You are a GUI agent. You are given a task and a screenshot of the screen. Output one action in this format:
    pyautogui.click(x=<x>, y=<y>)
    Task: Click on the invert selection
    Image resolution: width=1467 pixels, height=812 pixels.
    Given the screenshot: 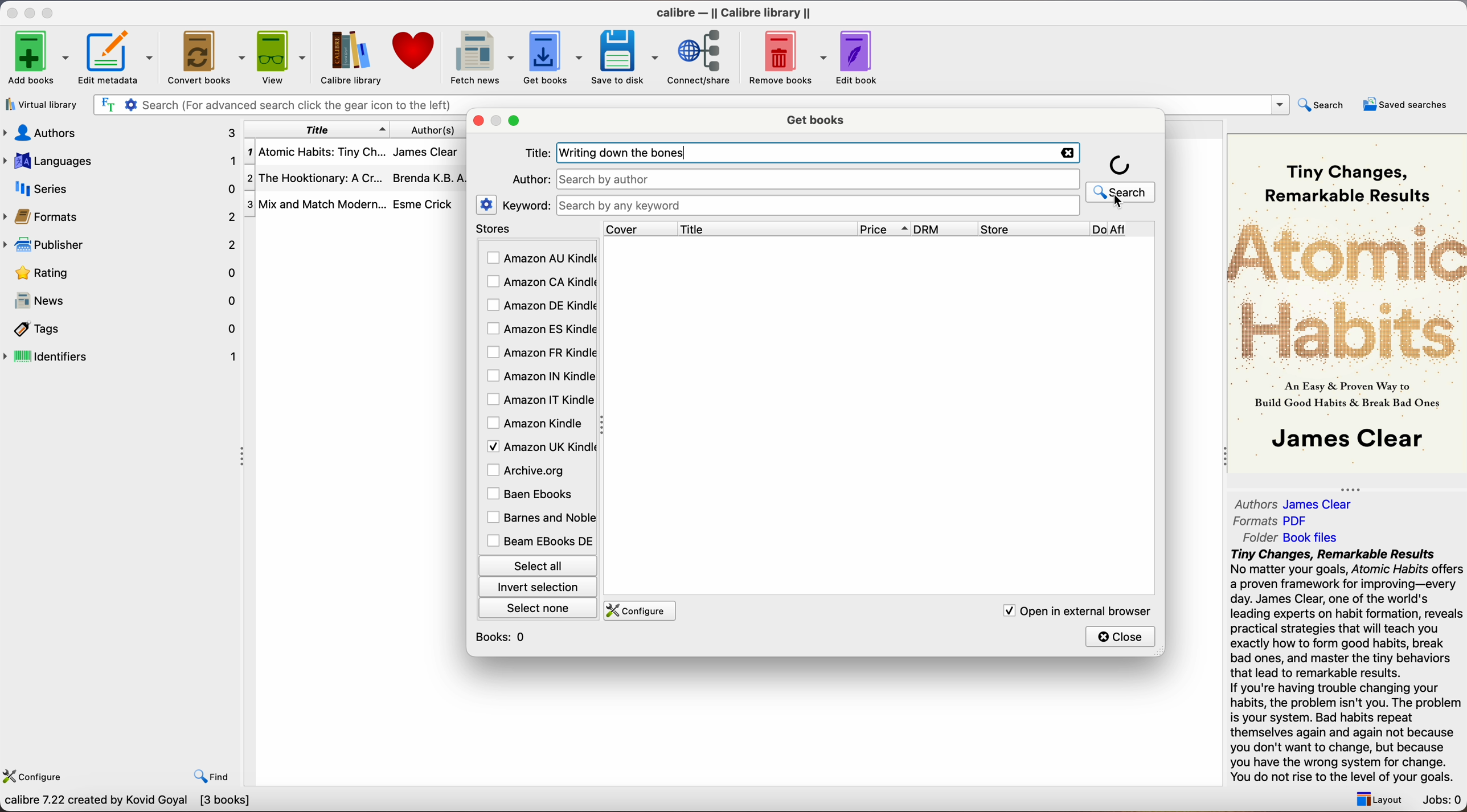 What is the action you would take?
    pyautogui.click(x=537, y=587)
    